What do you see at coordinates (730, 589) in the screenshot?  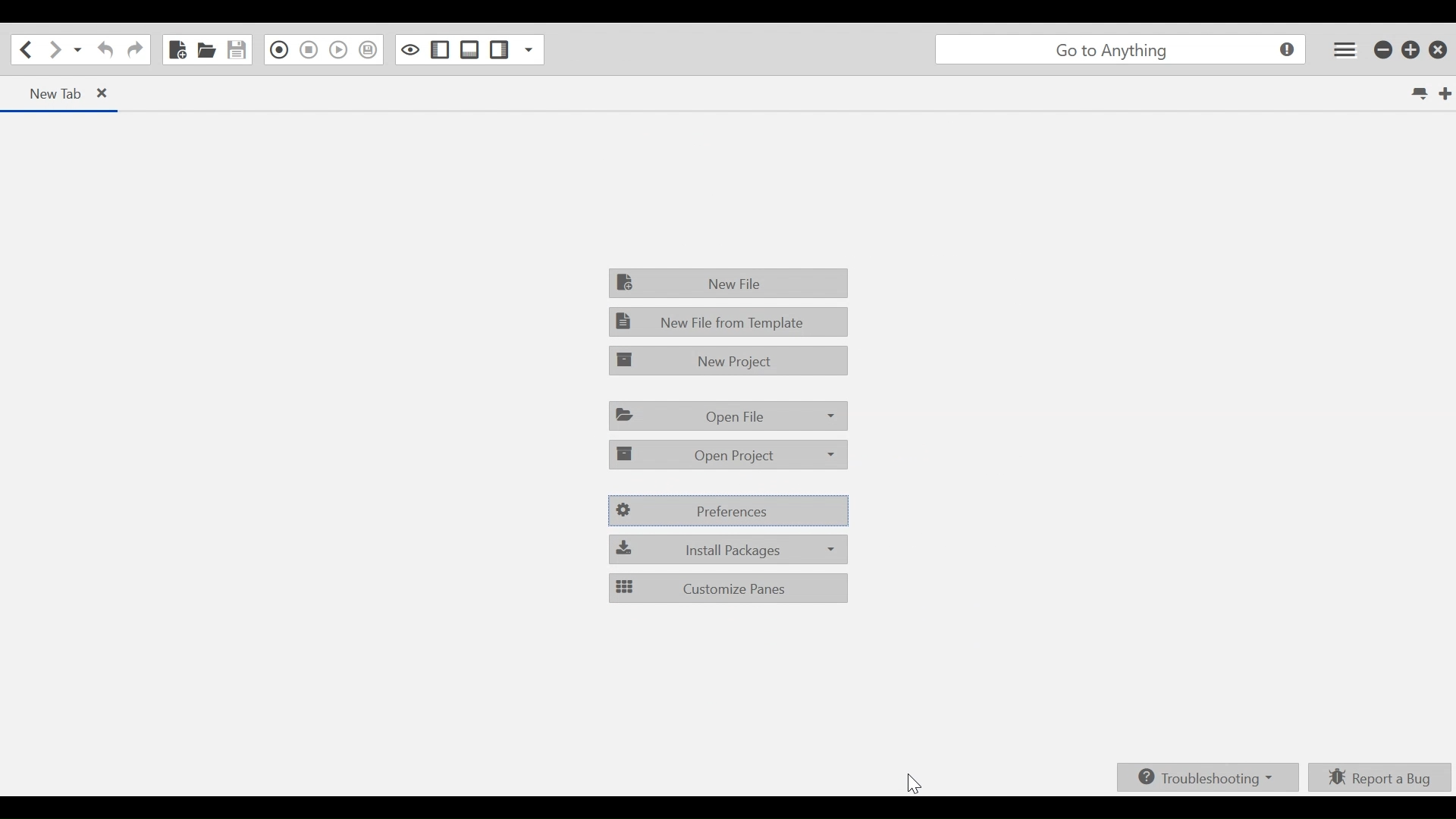 I see `Customize Panes` at bounding box center [730, 589].